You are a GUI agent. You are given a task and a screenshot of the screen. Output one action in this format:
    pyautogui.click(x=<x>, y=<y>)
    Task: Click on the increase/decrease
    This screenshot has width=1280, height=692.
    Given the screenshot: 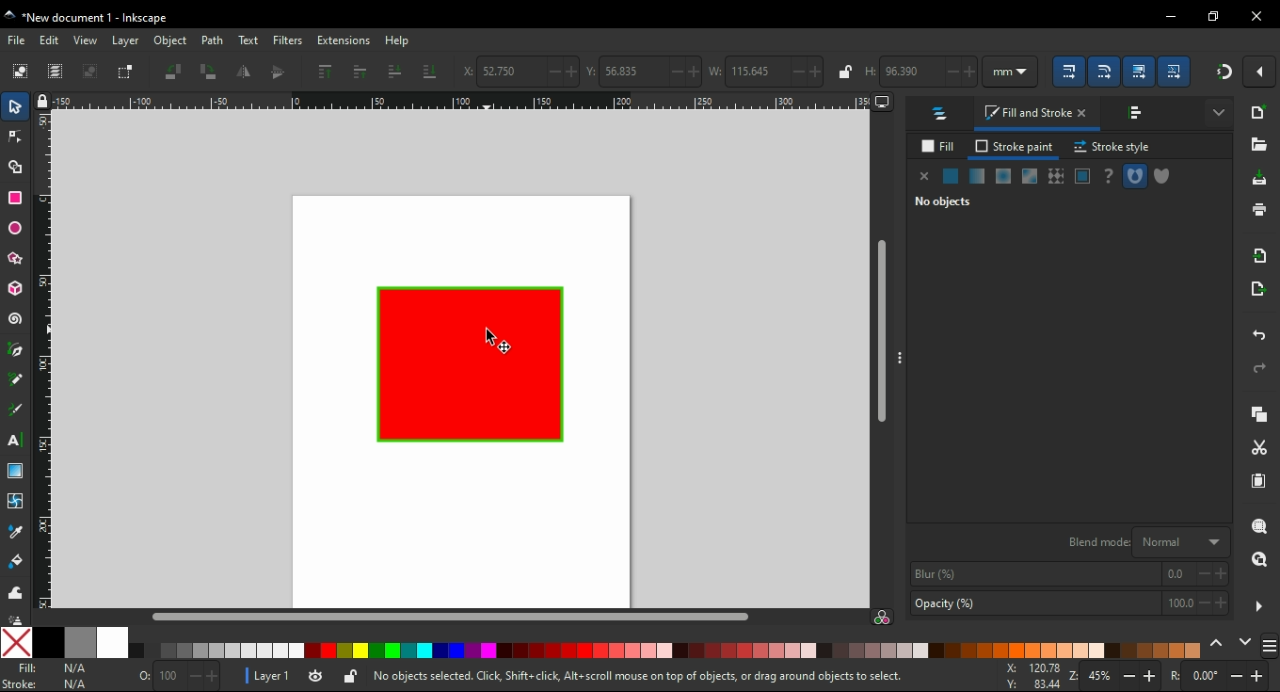 What is the action you would take?
    pyautogui.click(x=1141, y=676)
    